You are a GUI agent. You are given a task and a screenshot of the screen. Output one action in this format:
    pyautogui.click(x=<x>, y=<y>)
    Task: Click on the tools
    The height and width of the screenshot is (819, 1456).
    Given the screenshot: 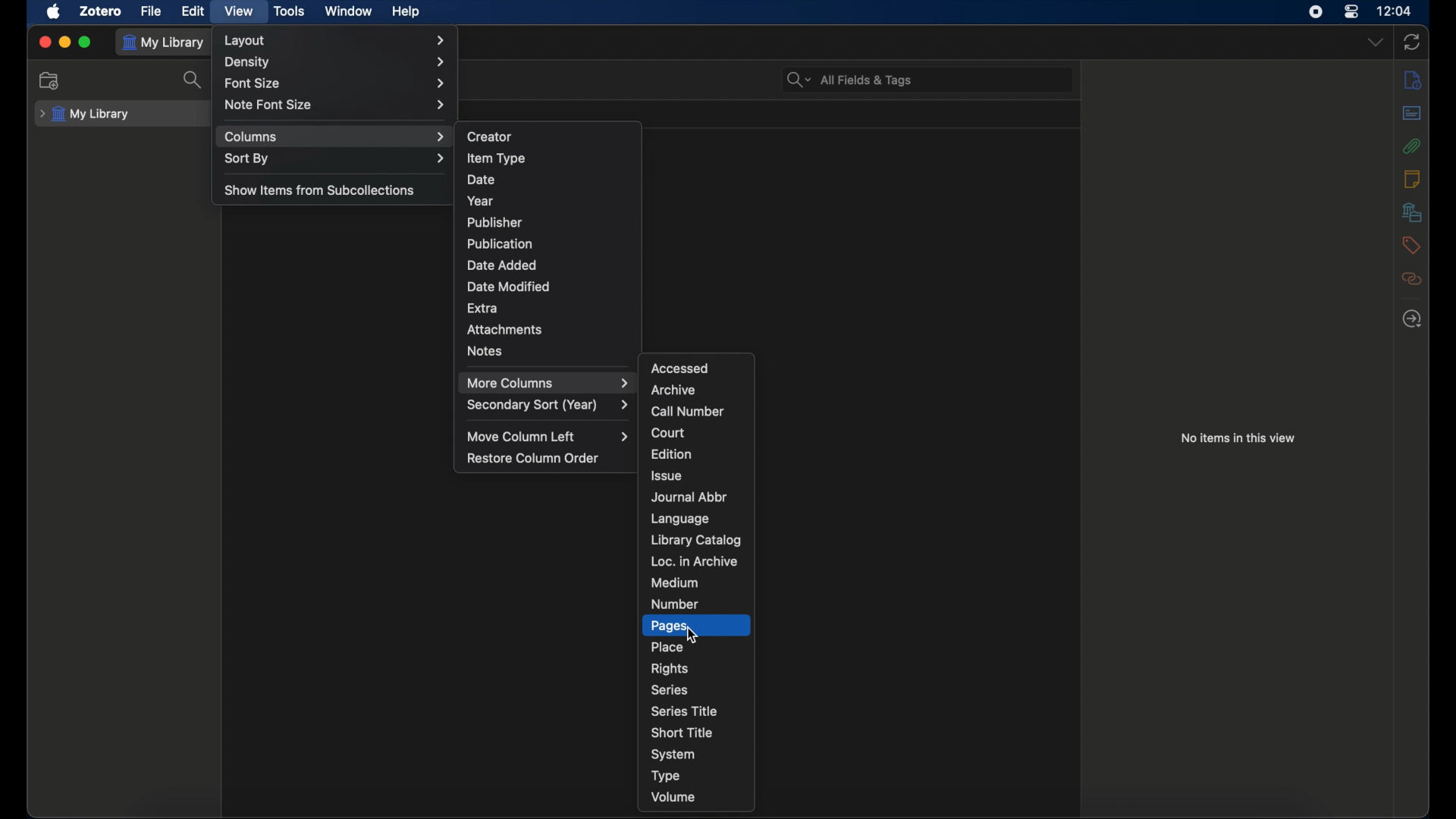 What is the action you would take?
    pyautogui.click(x=290, y=11)
    